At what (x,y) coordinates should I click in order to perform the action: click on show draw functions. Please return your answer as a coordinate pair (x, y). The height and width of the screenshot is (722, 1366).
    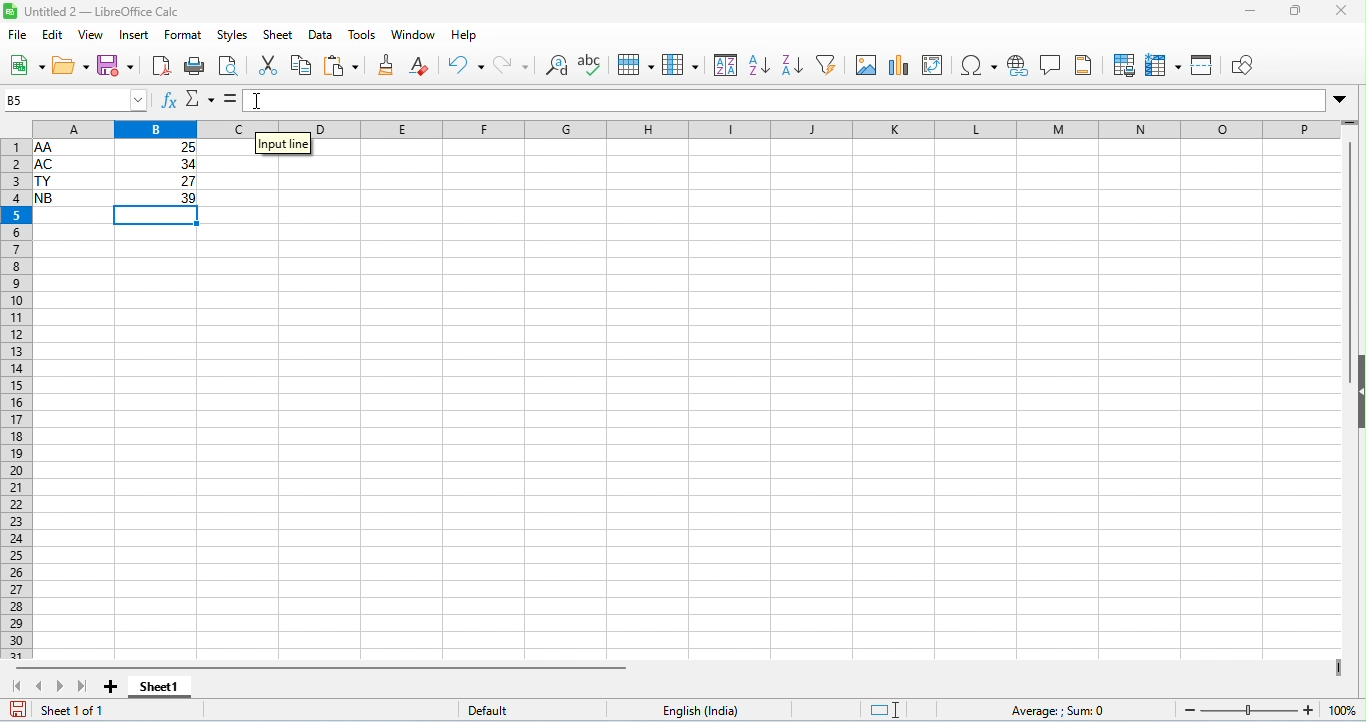
    Looking at the image, I should click on (1242, 65).